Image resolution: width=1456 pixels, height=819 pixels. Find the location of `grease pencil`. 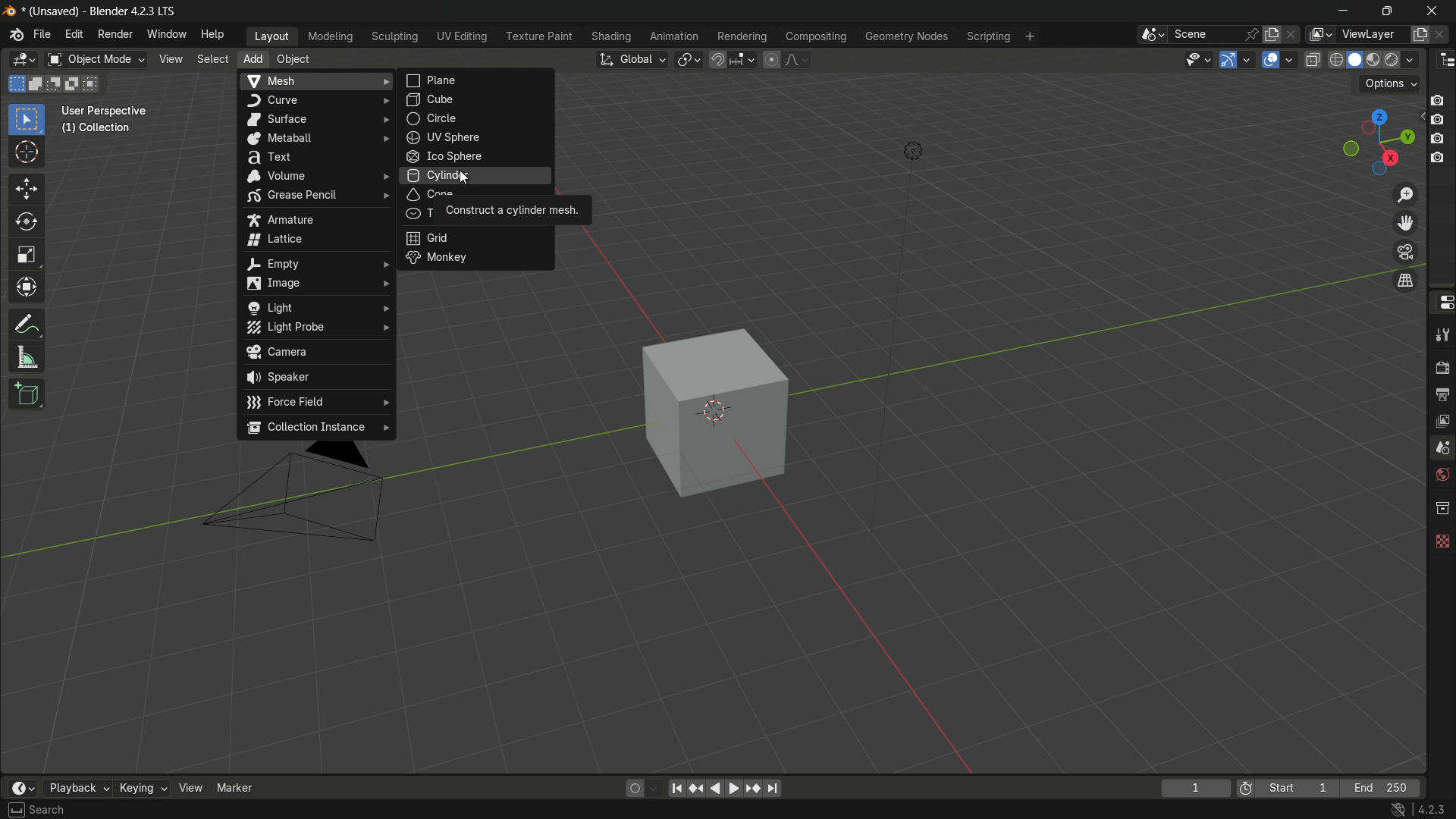

grease pencil is located at coordinates (315, 196).